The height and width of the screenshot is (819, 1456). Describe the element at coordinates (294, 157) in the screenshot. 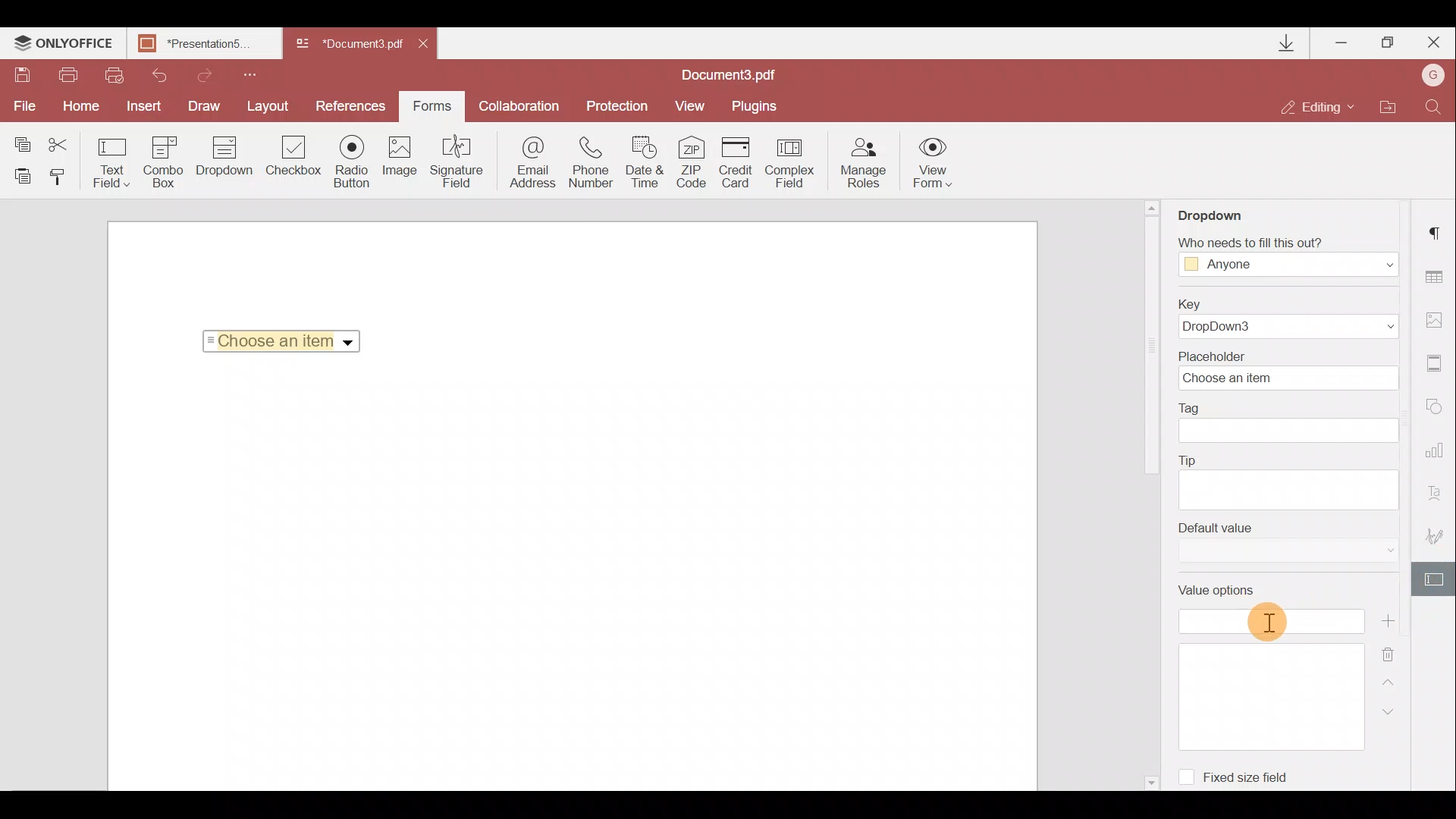

I see `Checkbox` at that location.